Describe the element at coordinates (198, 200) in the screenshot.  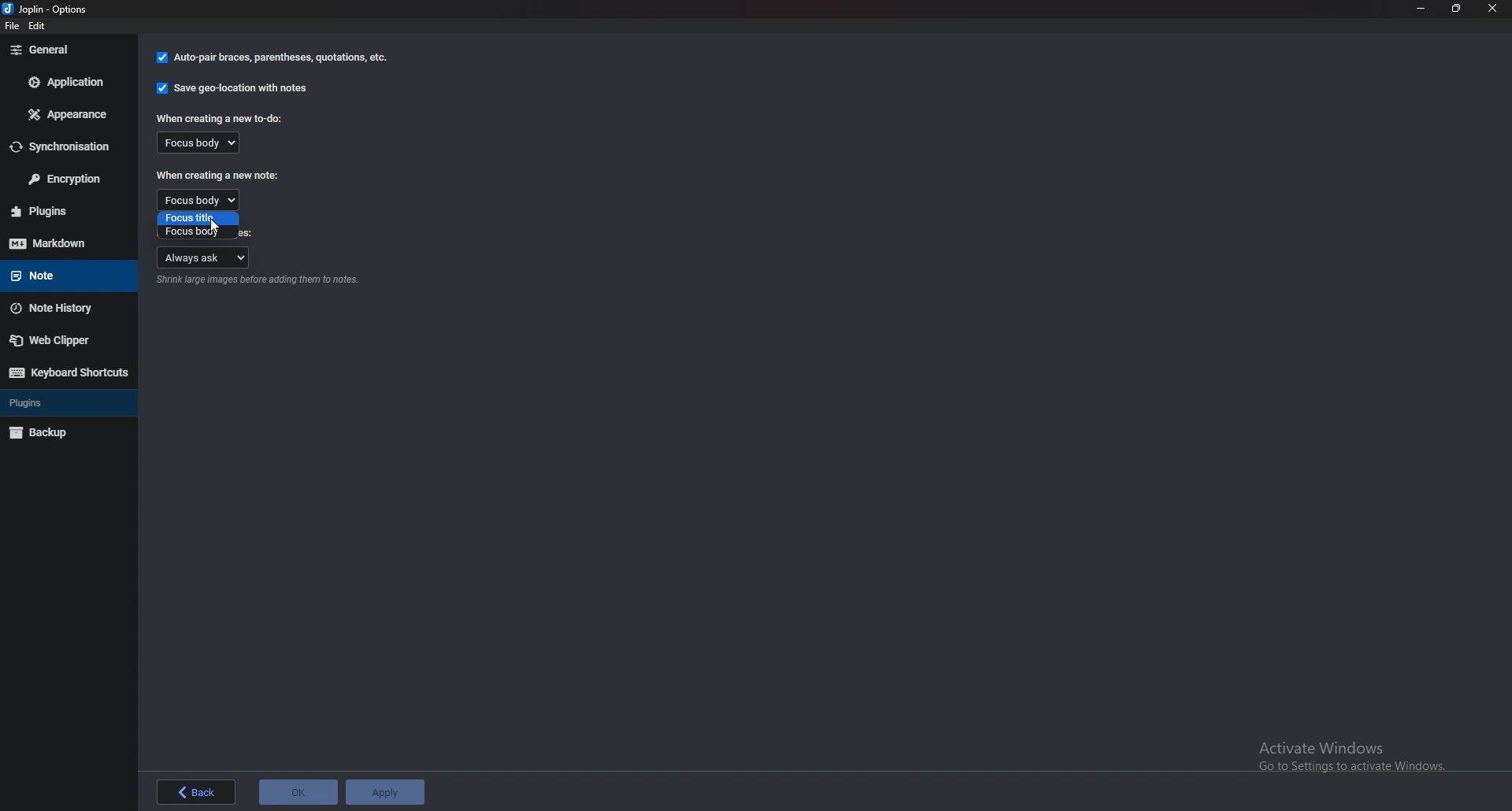
I see `Focus body` at that location.